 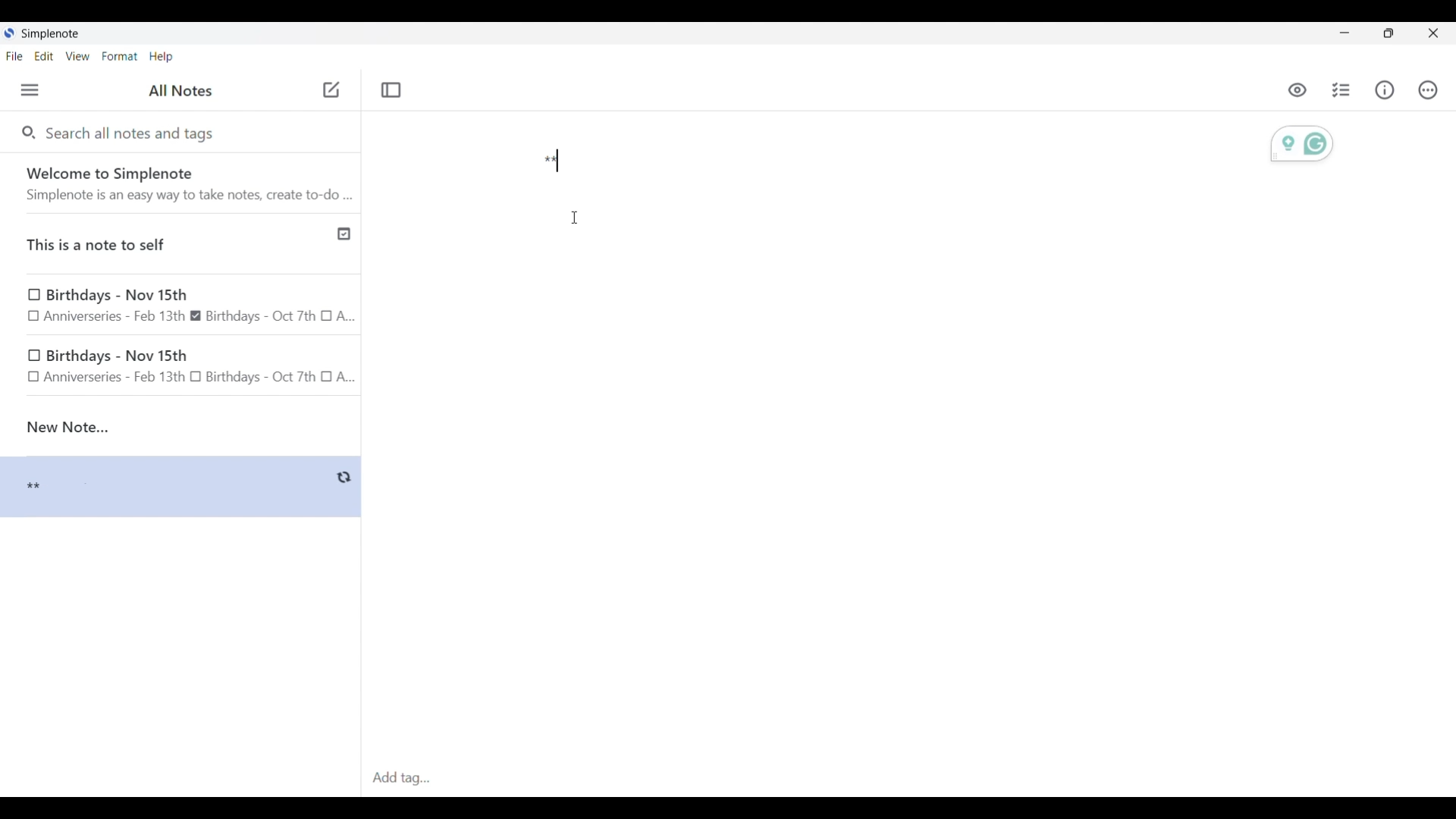 I want to click on Actions, so click(x=1427, y=90).